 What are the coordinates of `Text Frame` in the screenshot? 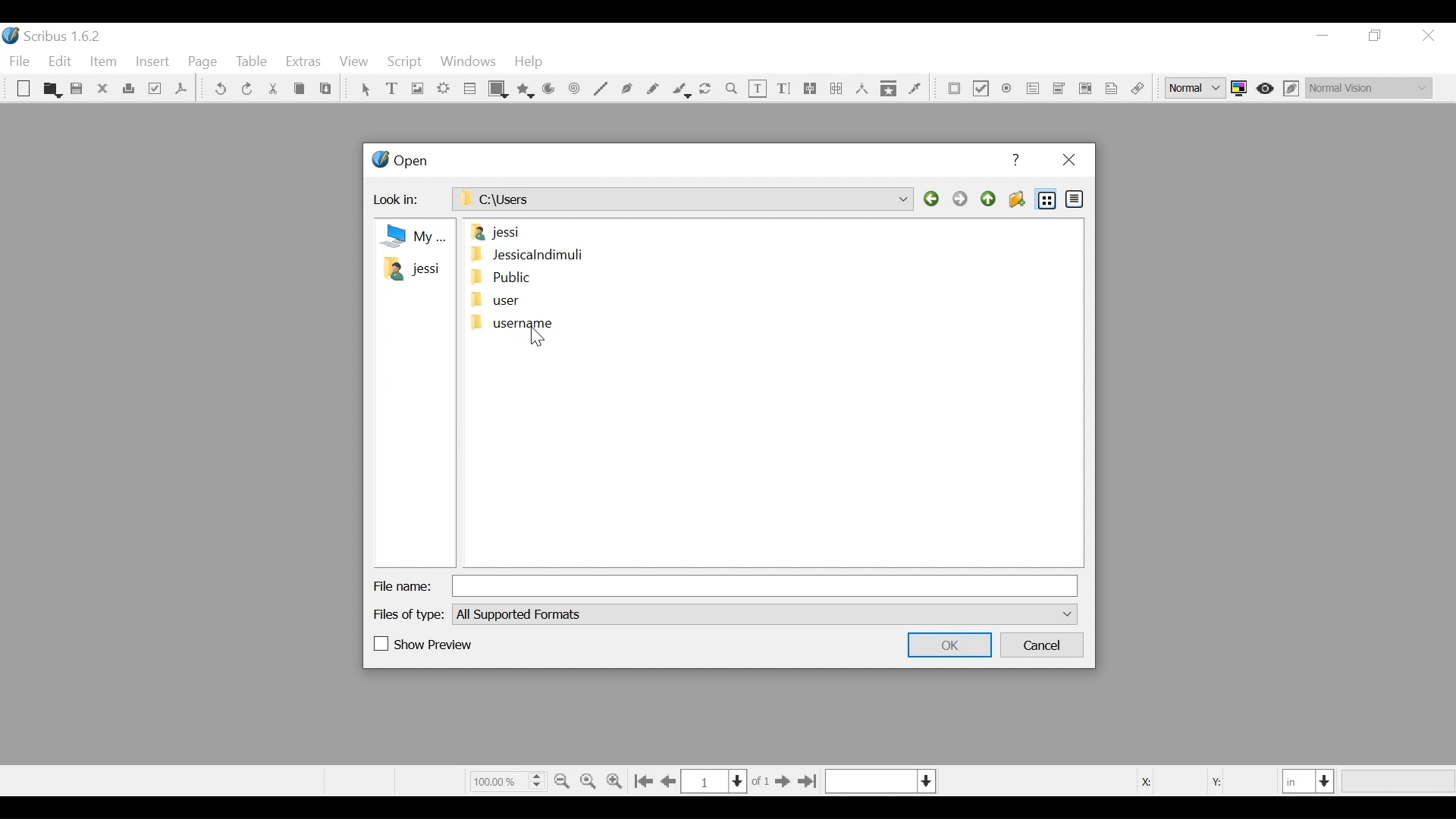 It's located at (394, 89).